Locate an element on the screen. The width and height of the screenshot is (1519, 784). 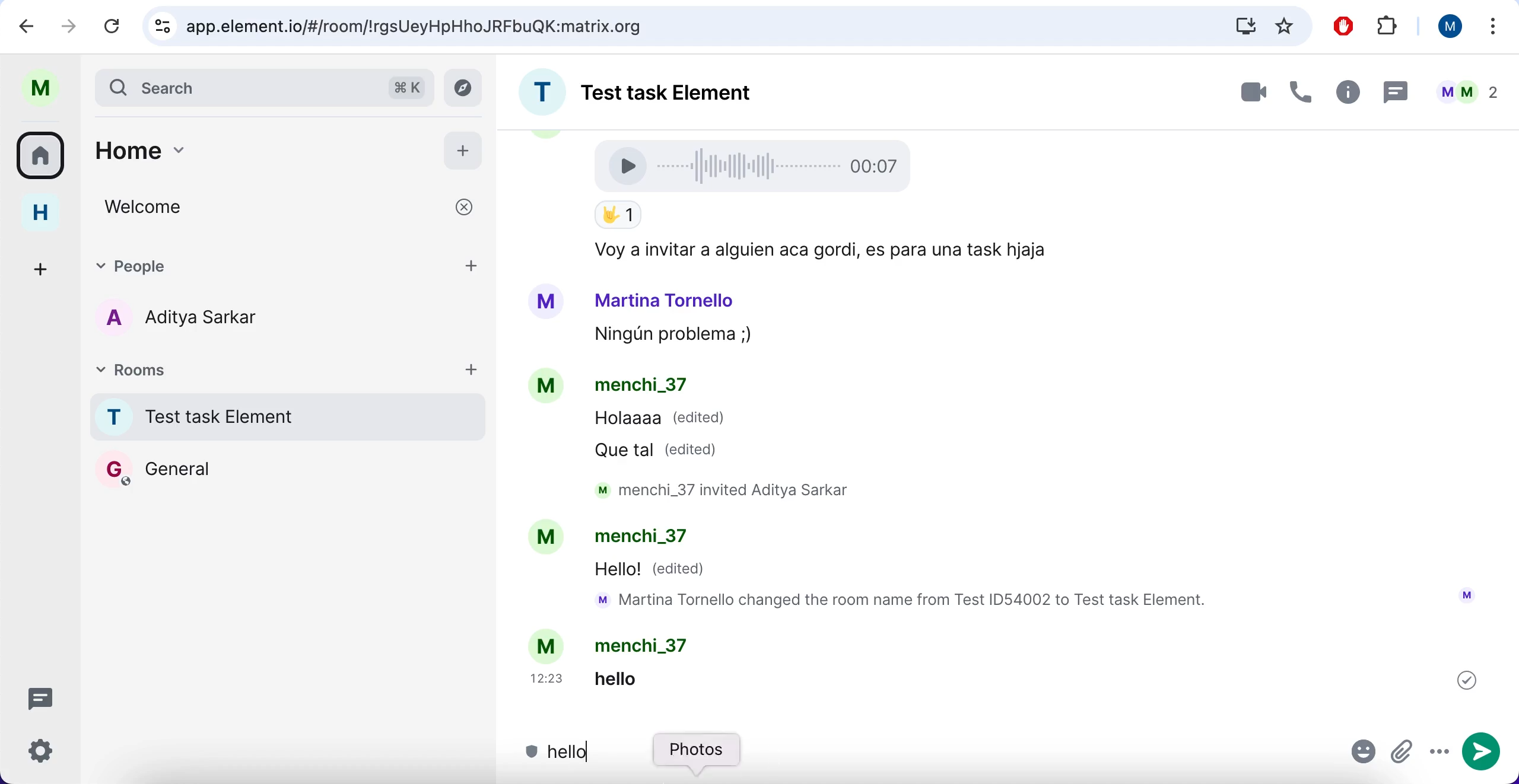
Avatar is located at coordinates (548, 388).